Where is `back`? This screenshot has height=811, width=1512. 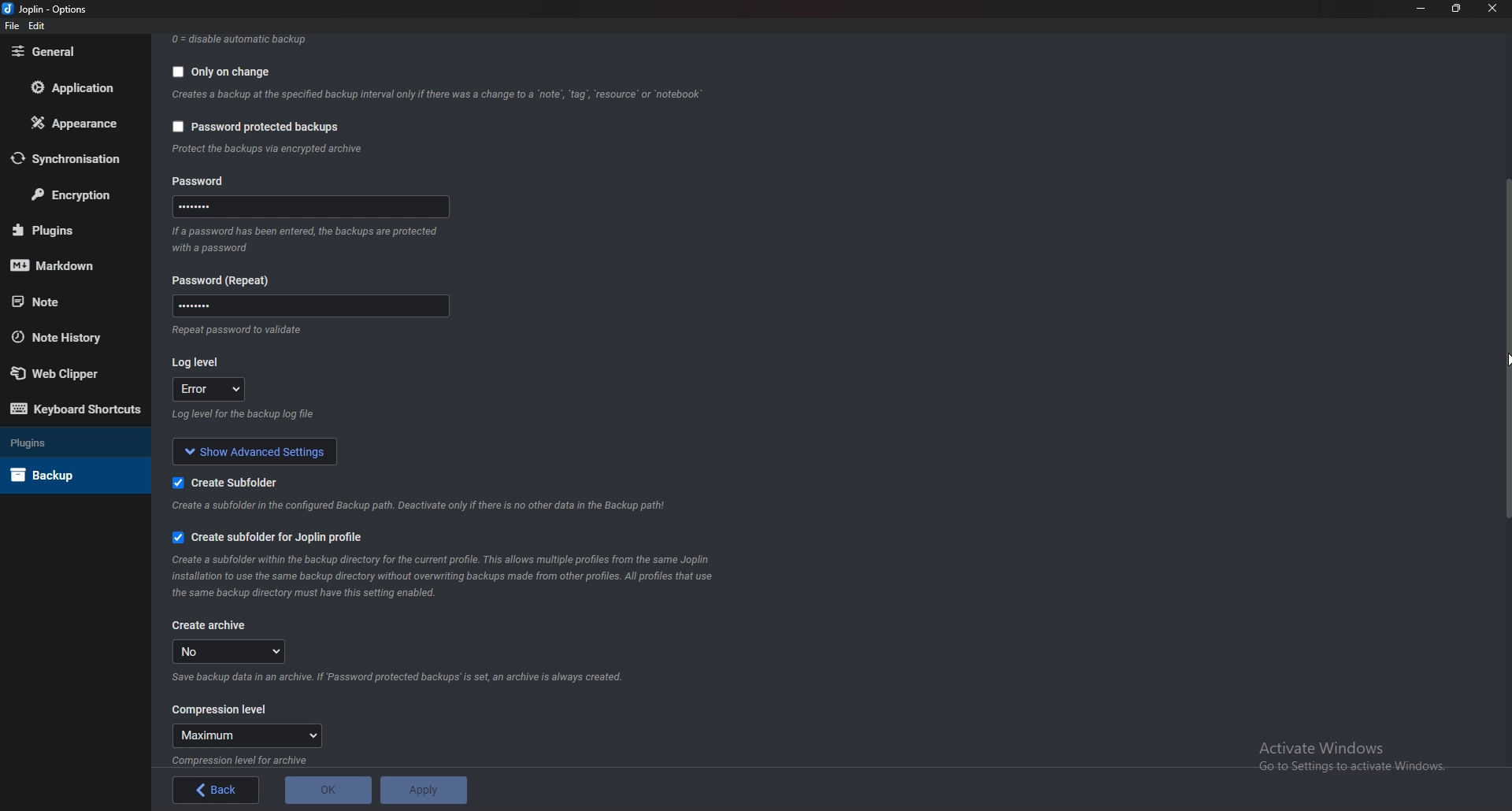 back is located at coordinates (216, 791).